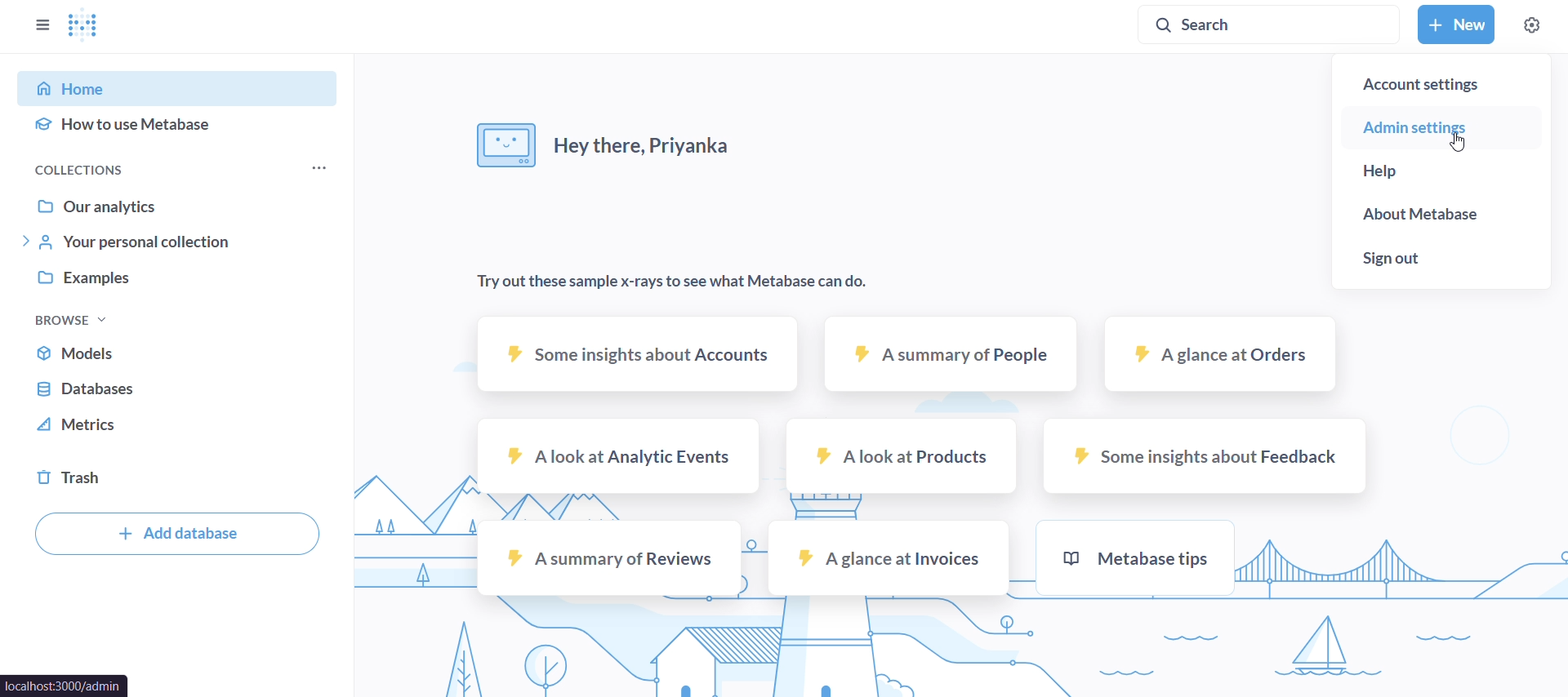 Image resolution: width=1568 pixels, height=697 pixels. What do you see at coordinates (1441, 175) in the screenshot?
I see `help` at bounding box center [1441, 175].